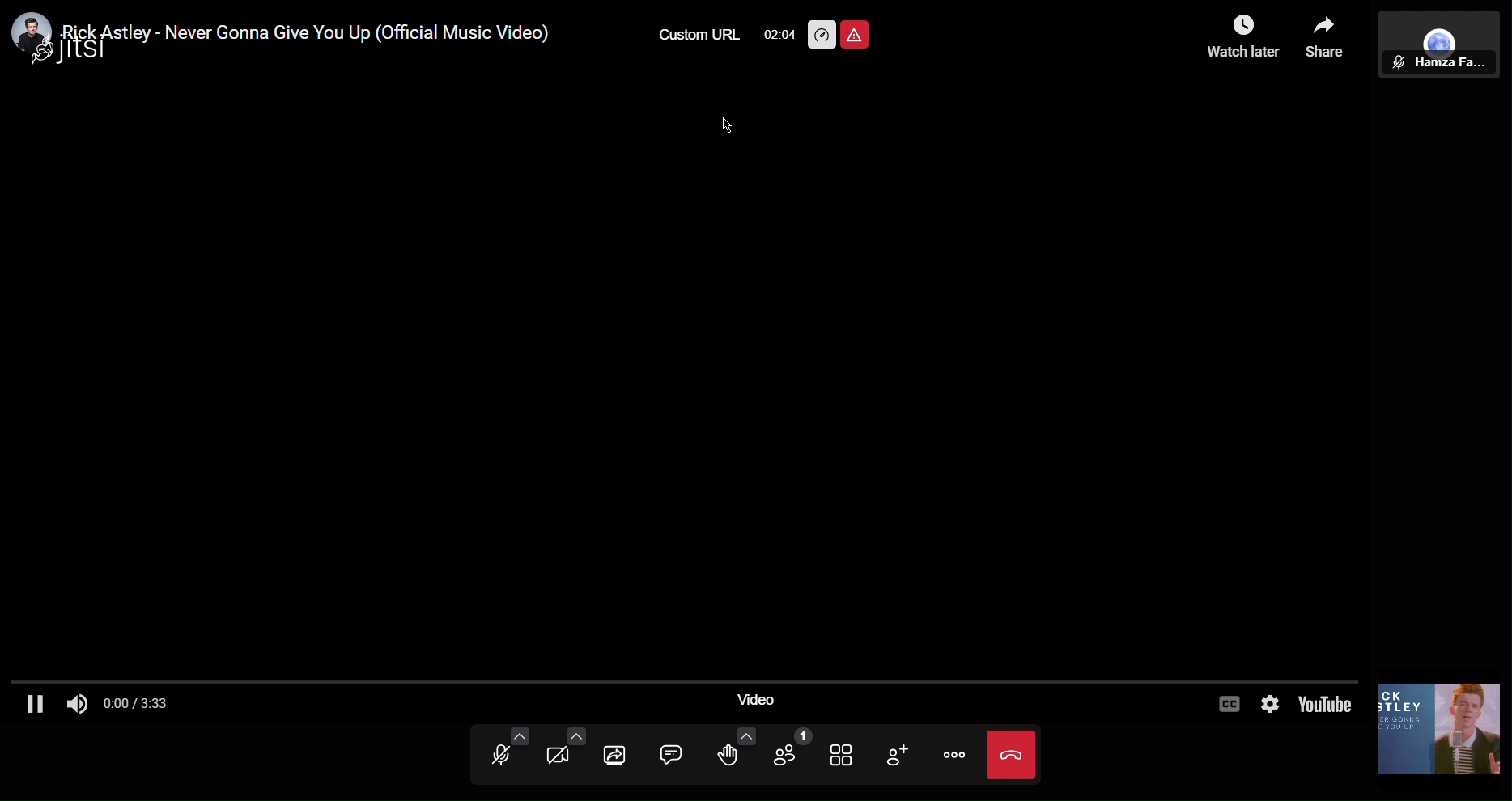 The width and height of the screenshot is (1512, 801). I want to click on Performance, so click(821, 34).